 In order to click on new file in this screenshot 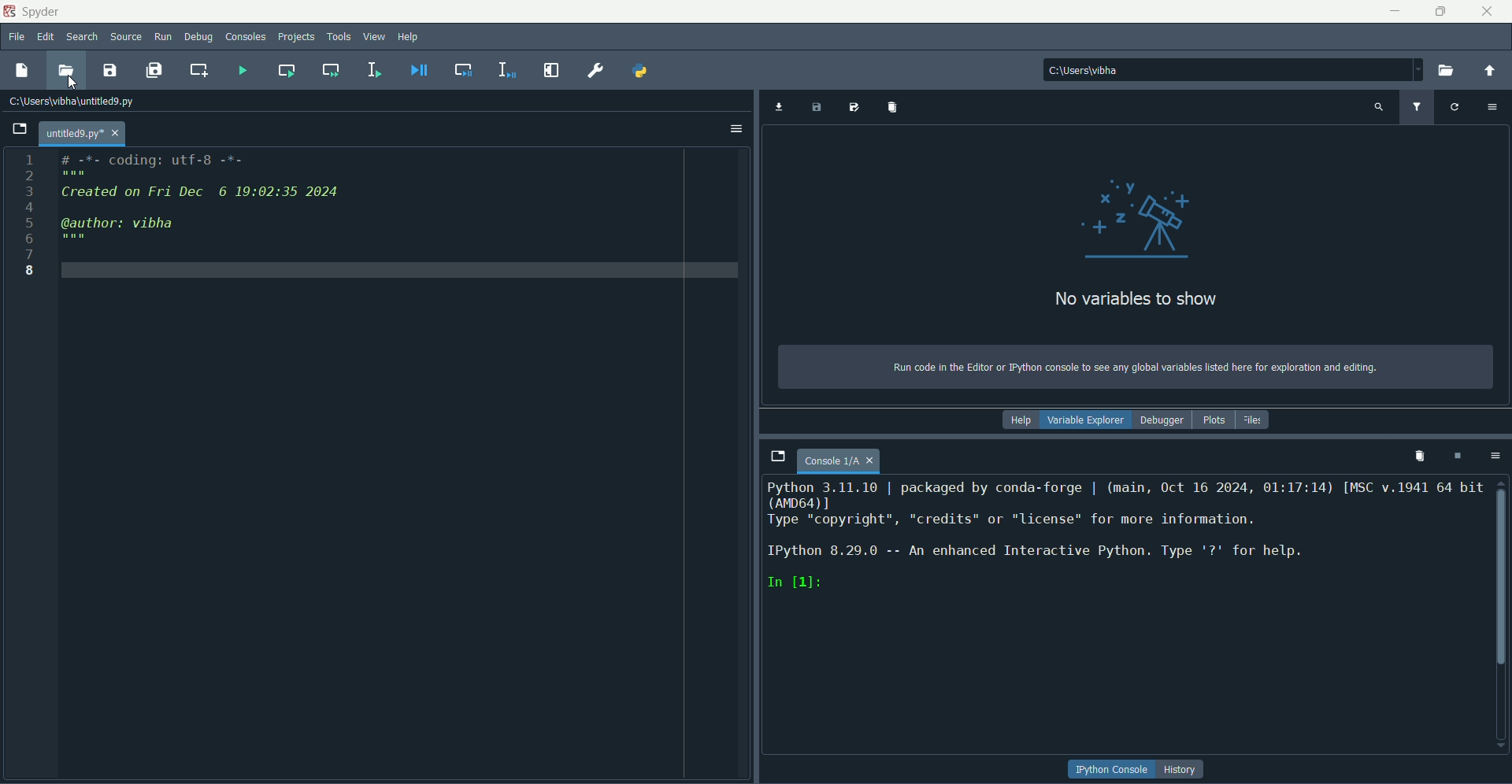, I will do `click(22, 70)`.